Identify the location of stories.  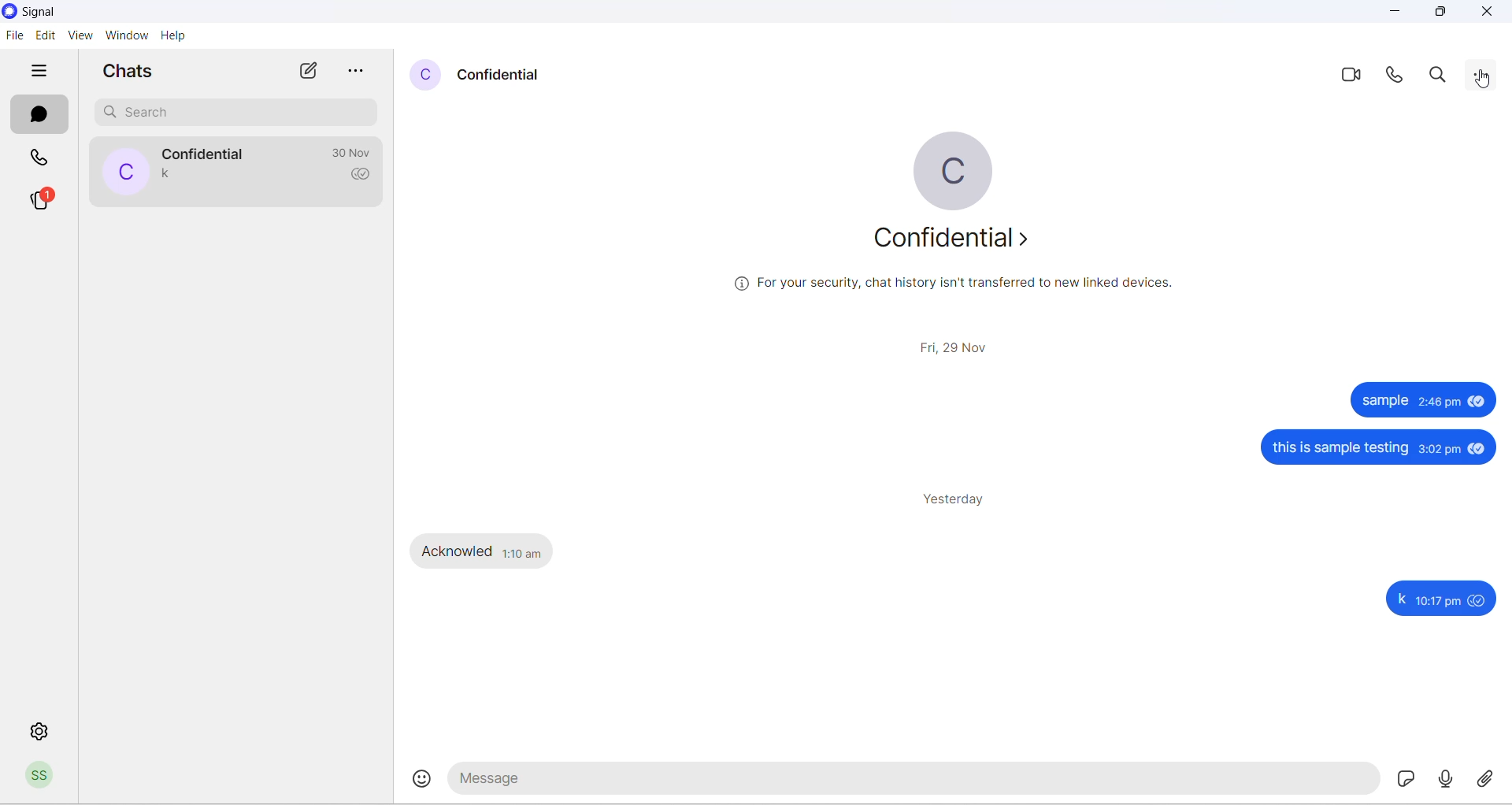
(41, 200).